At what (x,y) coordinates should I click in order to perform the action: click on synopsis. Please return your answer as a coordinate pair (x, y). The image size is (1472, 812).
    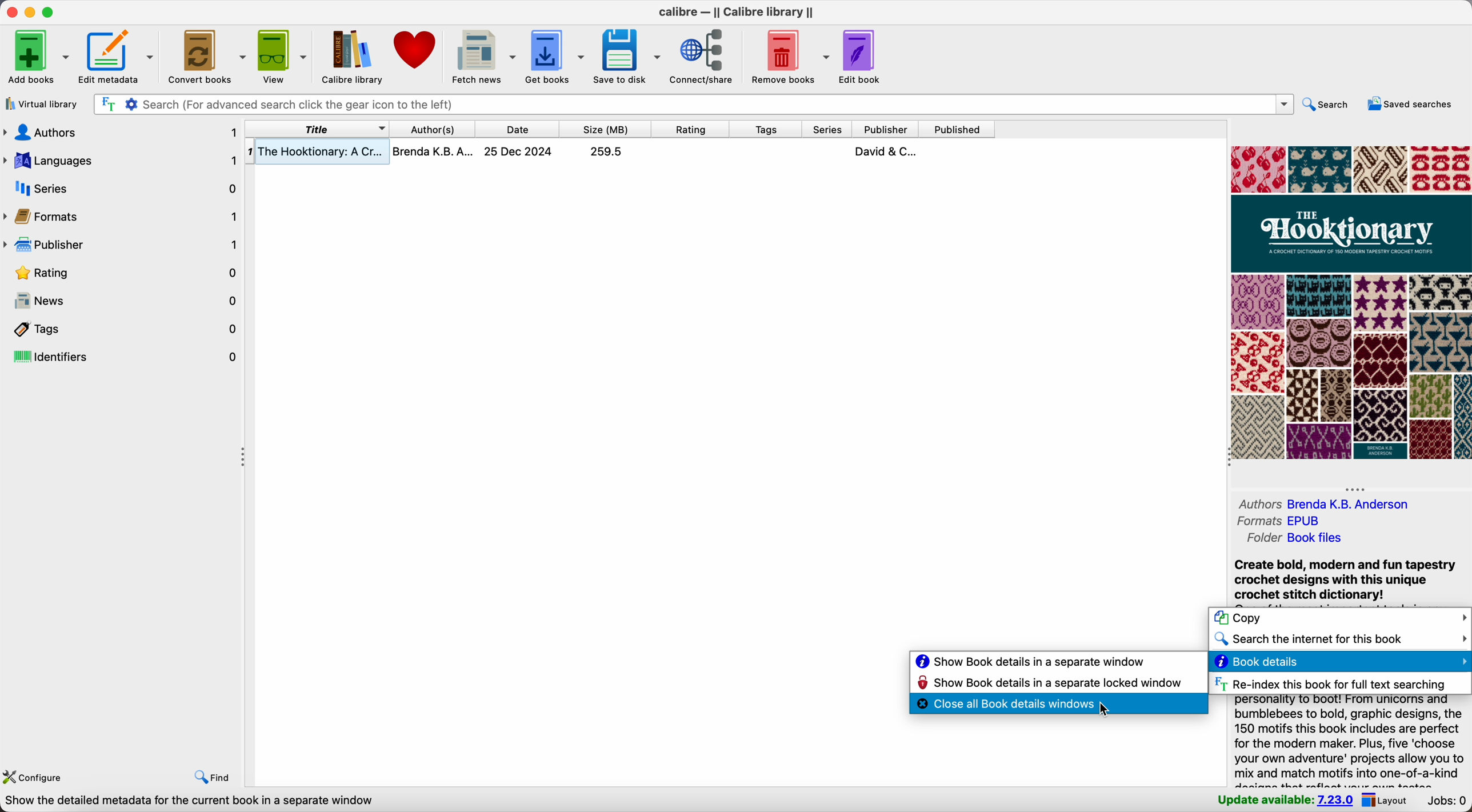
    Looking at the image, I should click on (1350, 742).